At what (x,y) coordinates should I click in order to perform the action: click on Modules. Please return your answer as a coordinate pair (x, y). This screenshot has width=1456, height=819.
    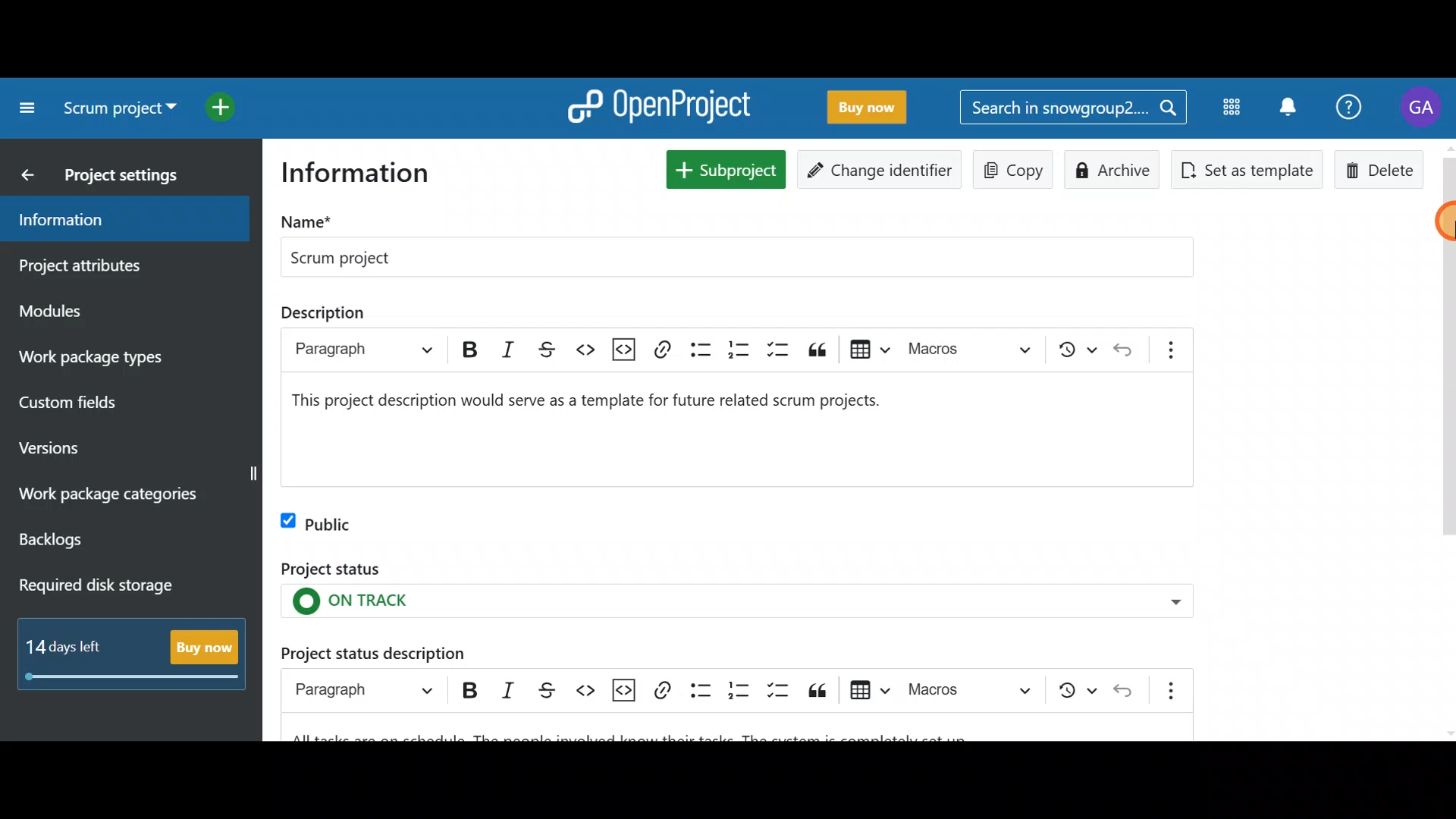
    Looking at the image, I should click on (106, 310).